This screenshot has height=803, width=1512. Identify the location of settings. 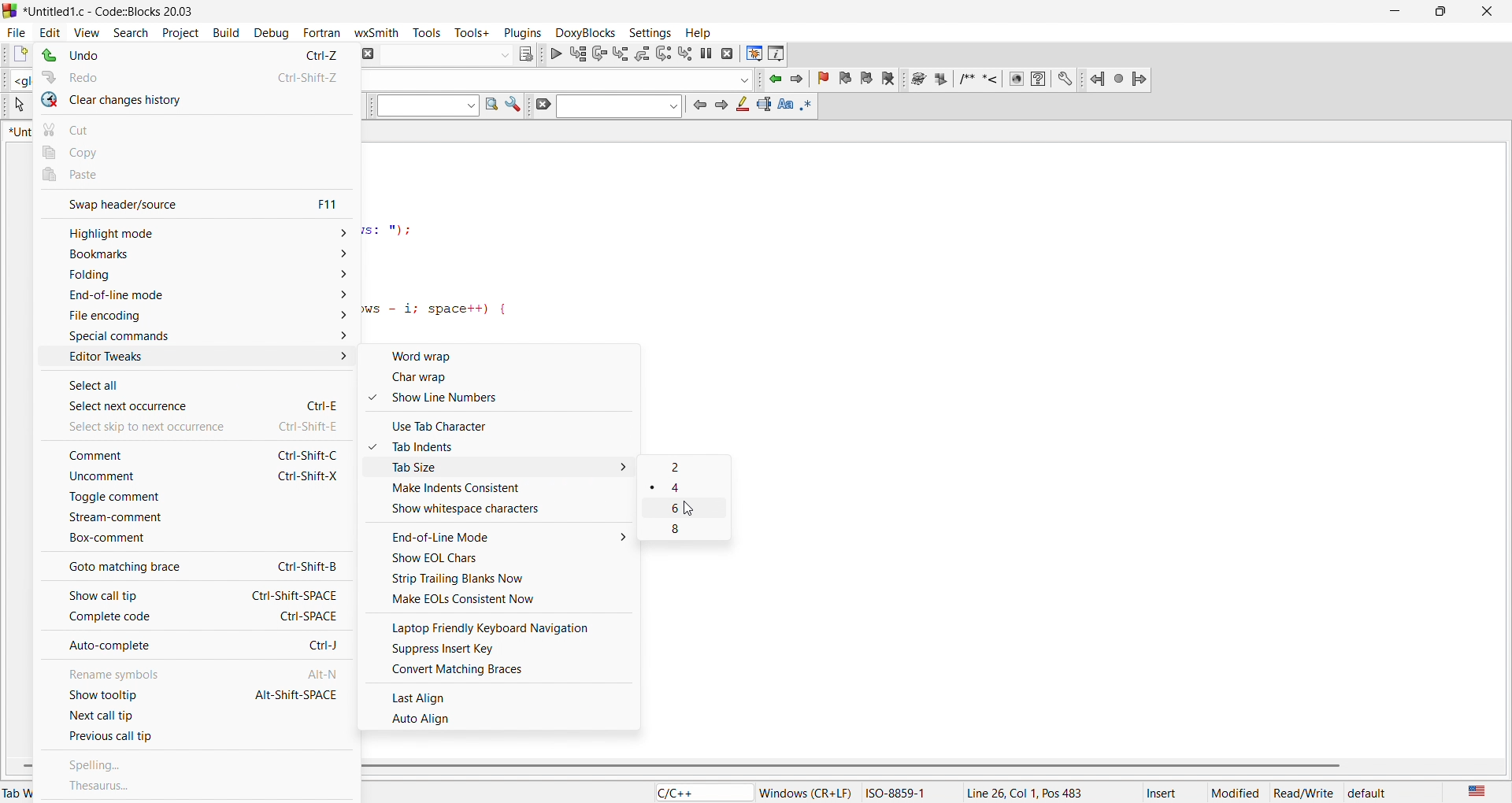
(650, 29).